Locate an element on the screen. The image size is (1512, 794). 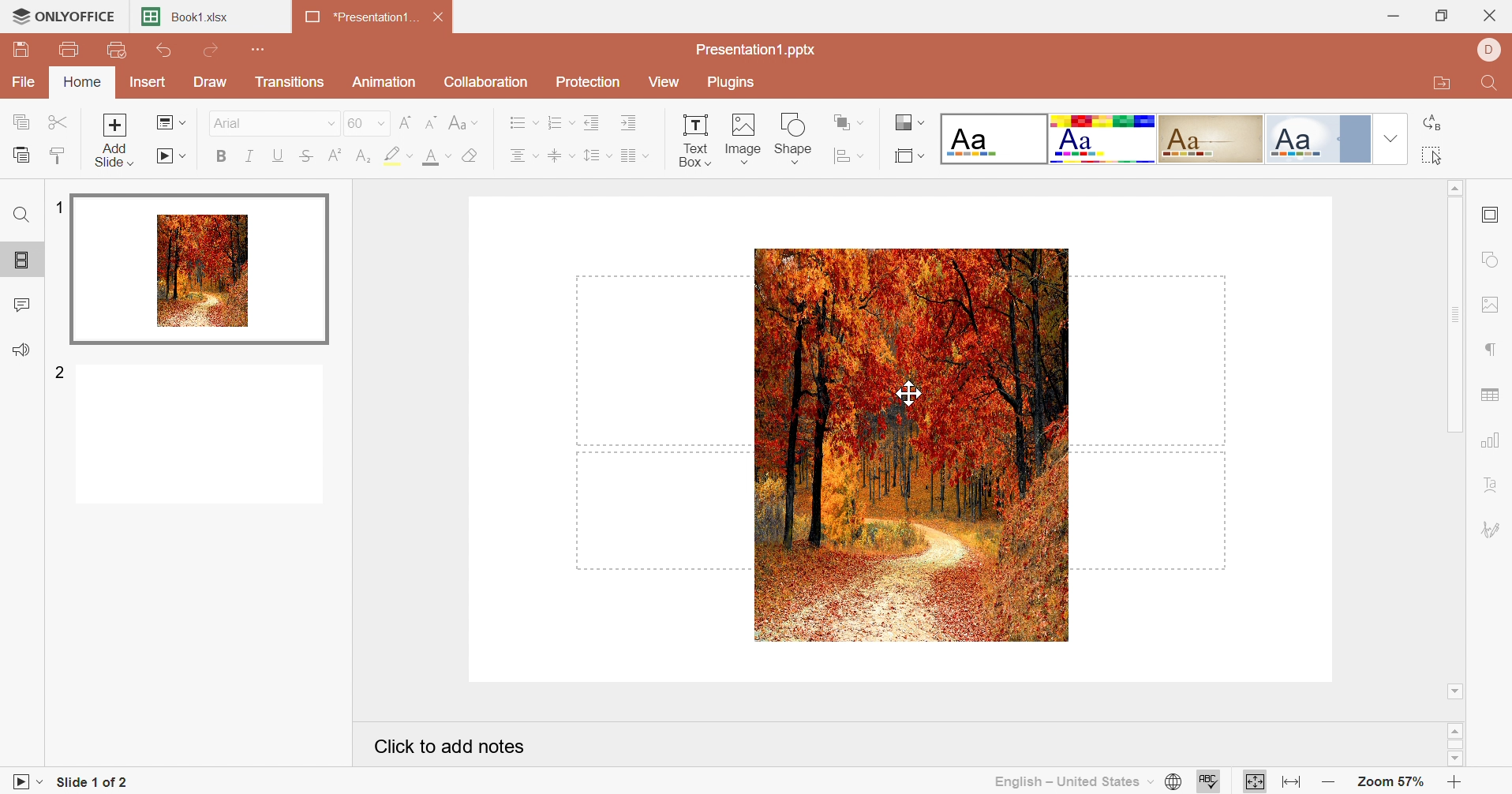
Quick print is located at coordinates (118, 51).